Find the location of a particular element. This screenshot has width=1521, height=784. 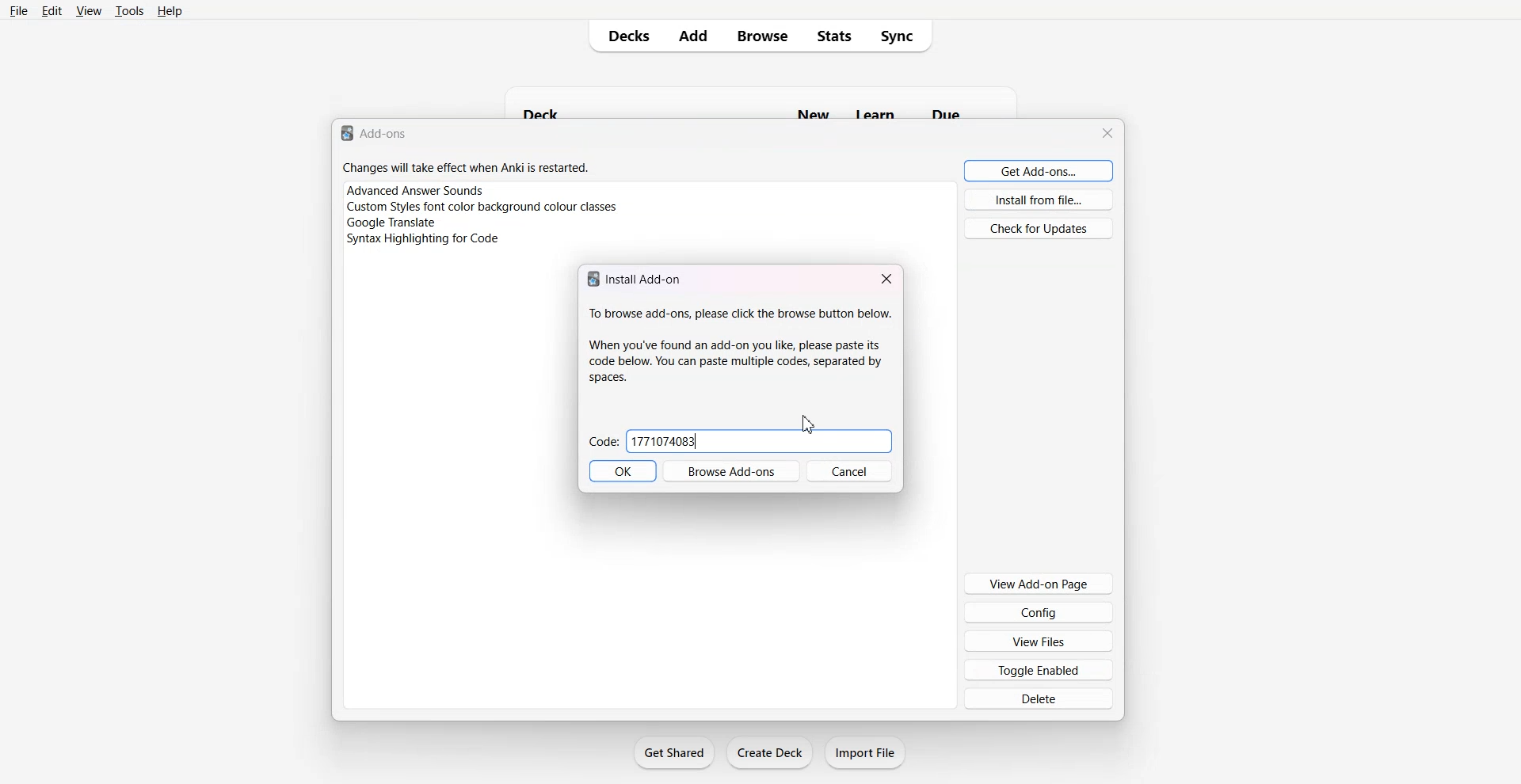

Cursor is located at coordinates (808, 424).